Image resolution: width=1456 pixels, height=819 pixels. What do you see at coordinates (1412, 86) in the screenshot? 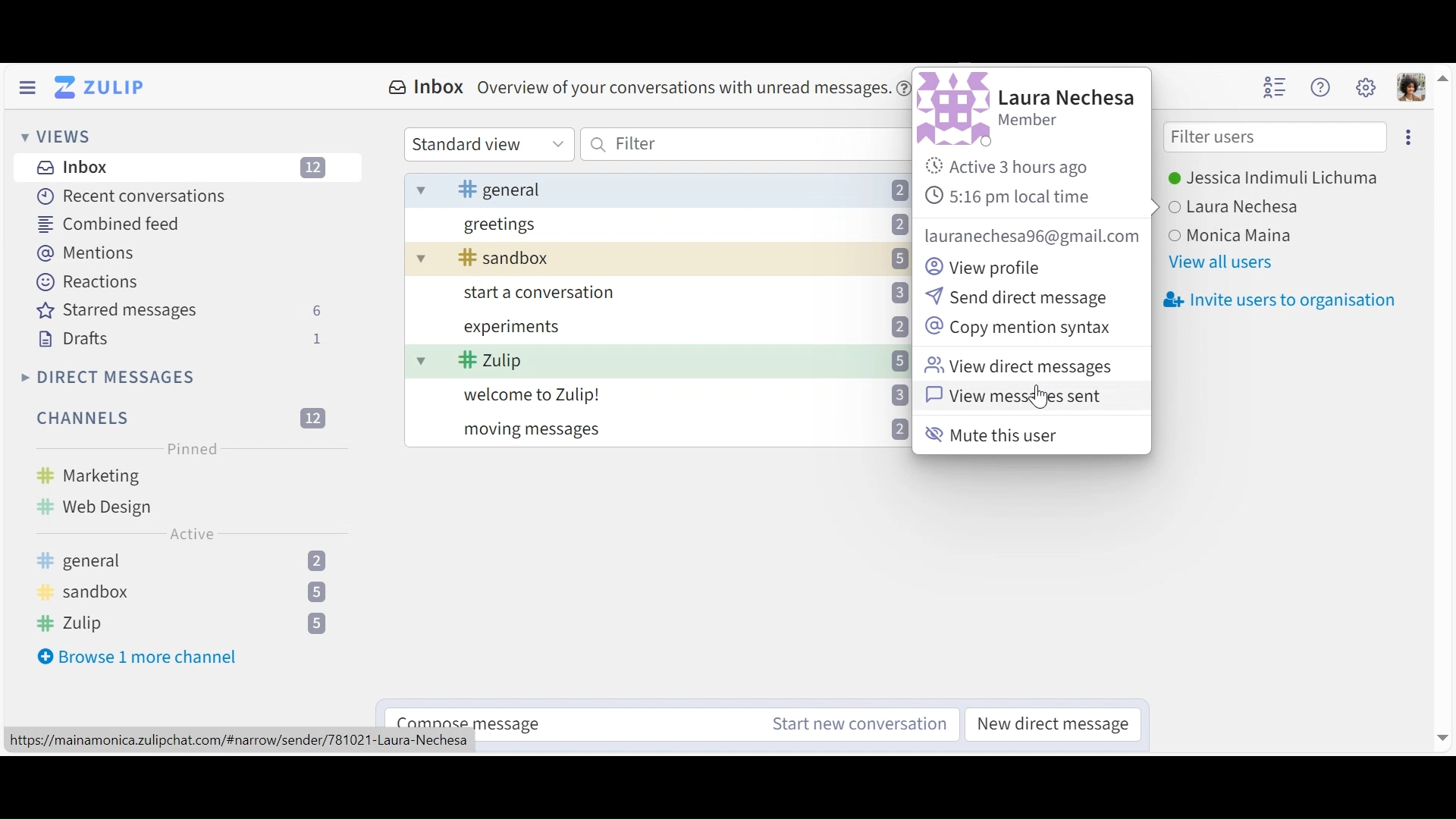
I see `Personal menu` at bounding box center [1412, 86].